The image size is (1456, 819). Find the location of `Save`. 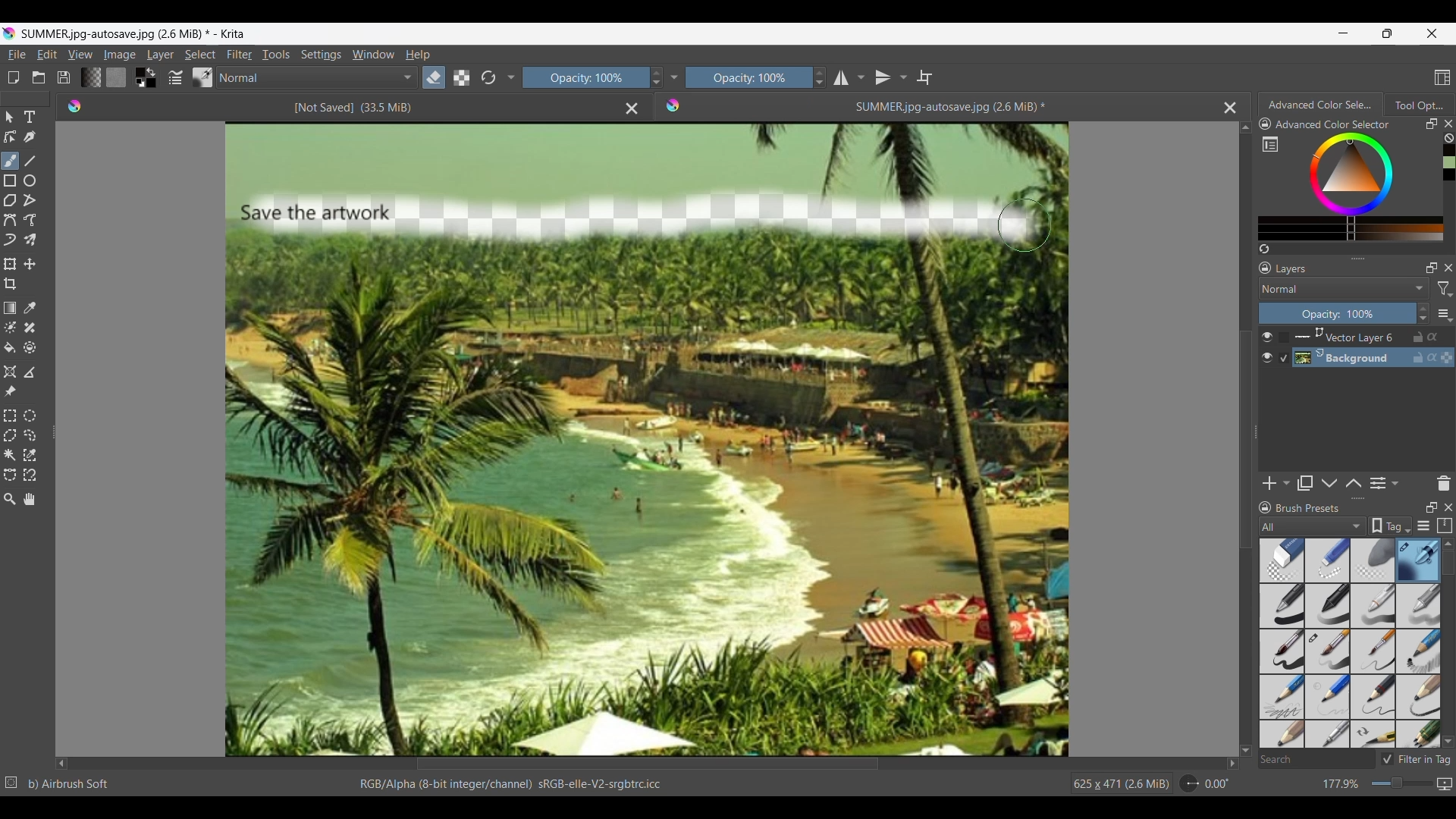

Save is located at coordinates (64, 77).